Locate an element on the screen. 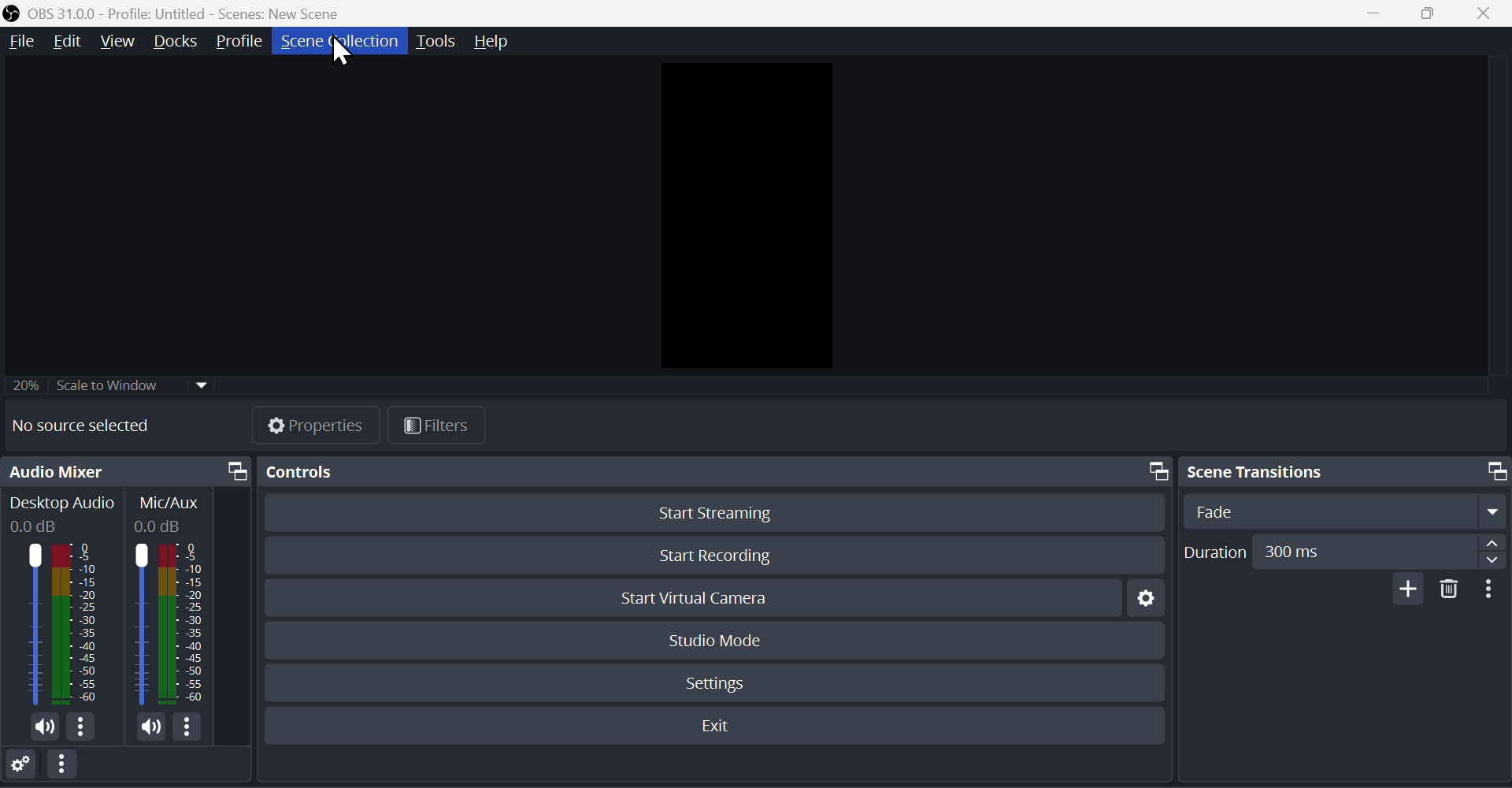 The height and width of the screenshot is (788, 1512). cursor on scene collection is located at coordinates (343, 52).